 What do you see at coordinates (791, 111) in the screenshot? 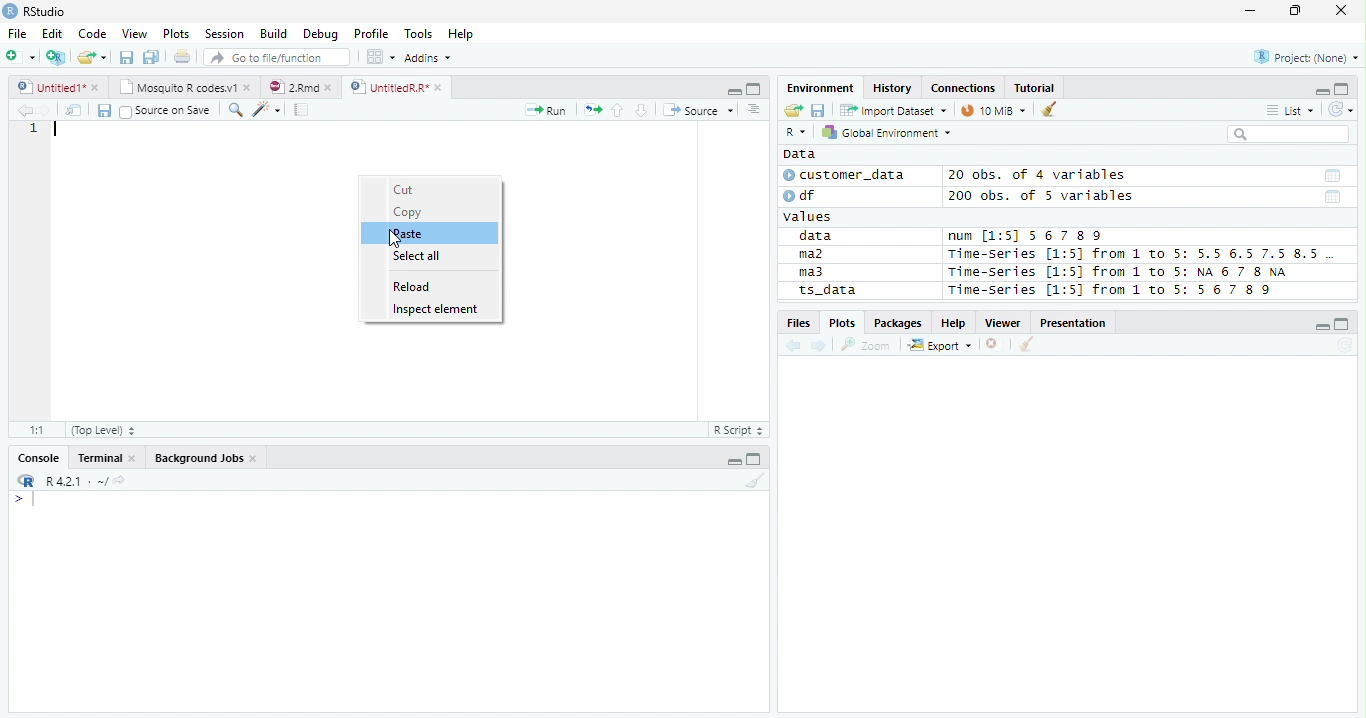
I see `Open folder` at bounding box center [791, 111].